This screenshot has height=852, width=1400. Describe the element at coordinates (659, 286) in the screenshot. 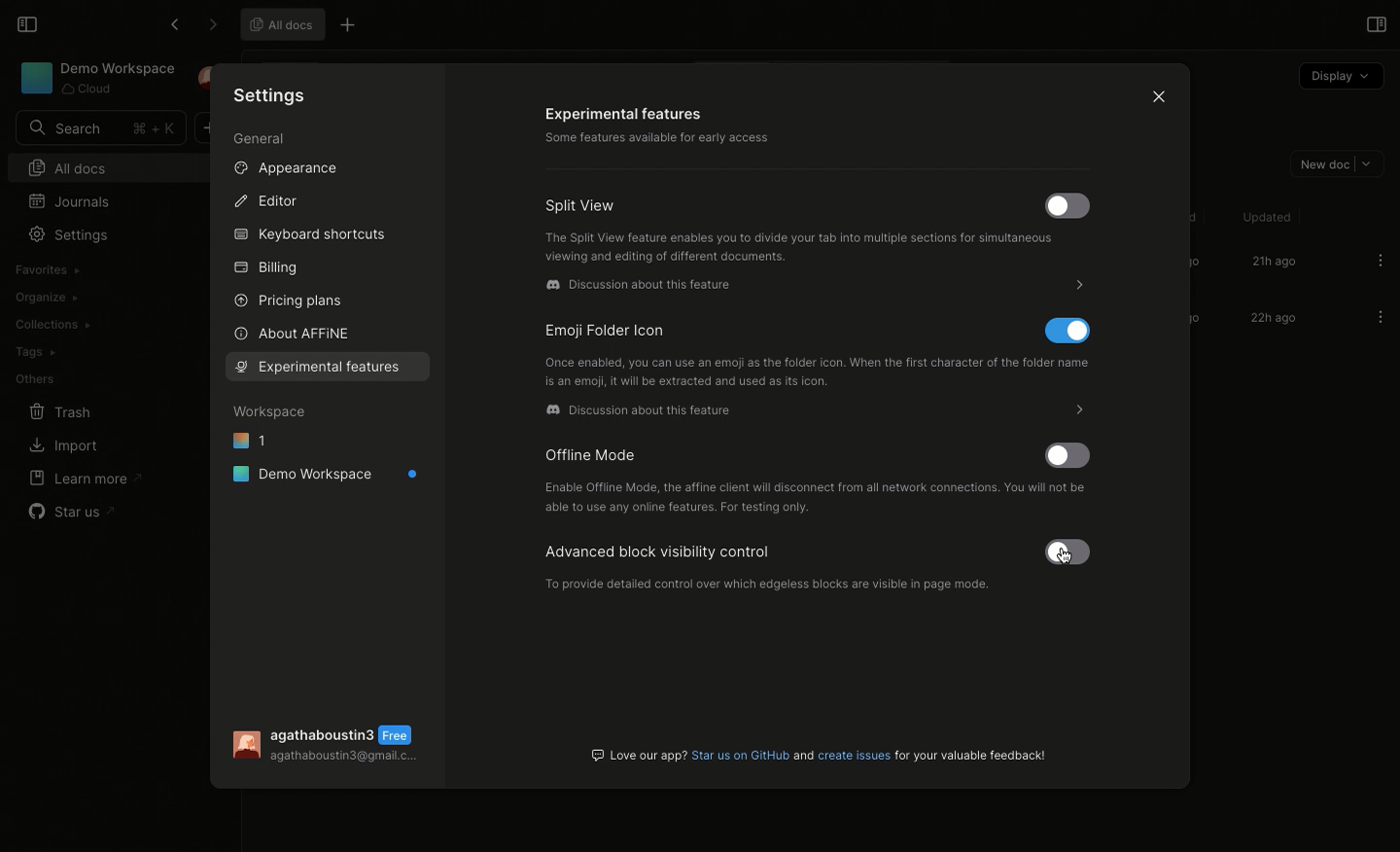

I see `Discussion on Discord` at that location.